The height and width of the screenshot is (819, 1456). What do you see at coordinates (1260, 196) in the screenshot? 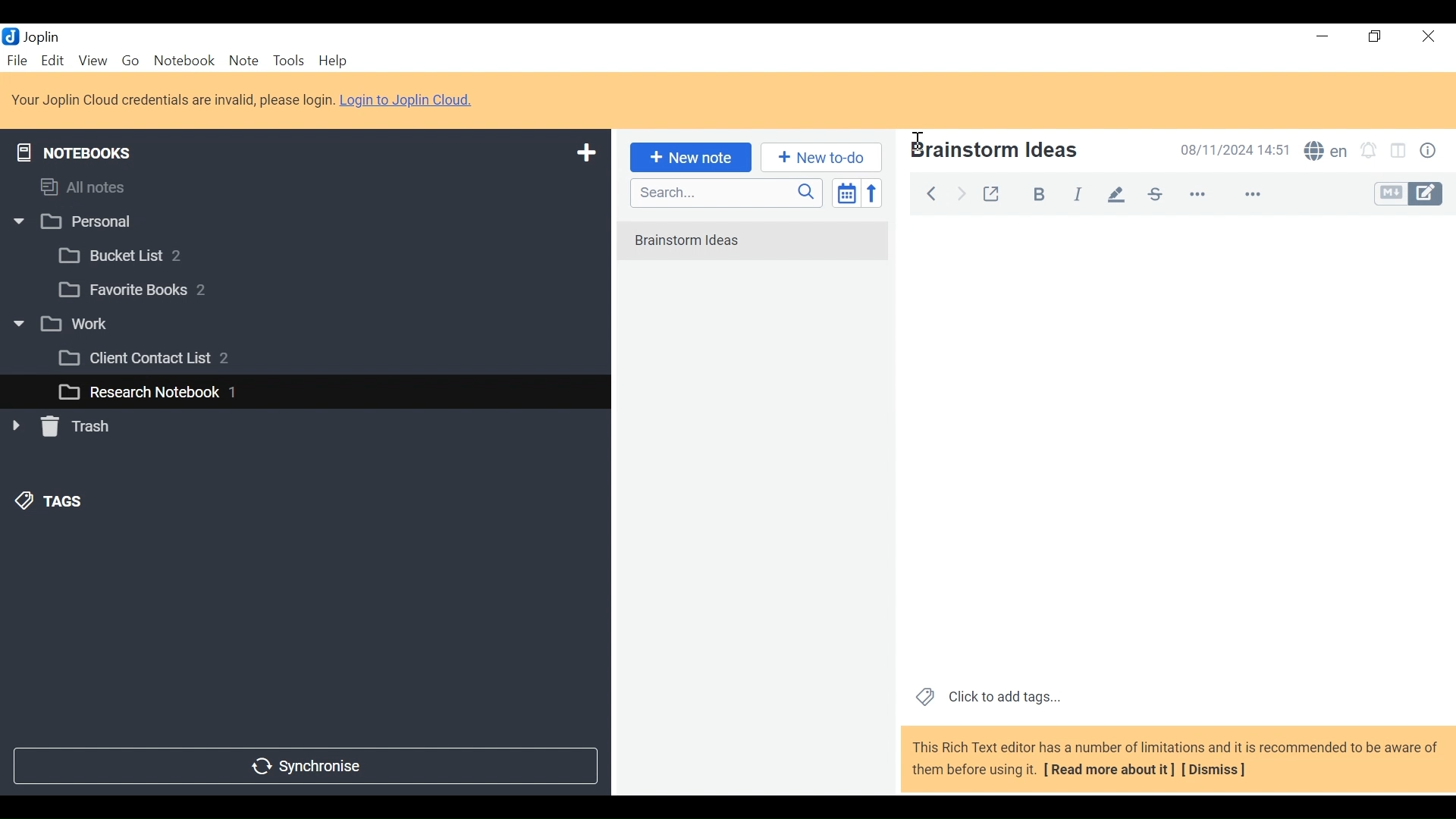
I see `feature options` at bounding box center [1260, 196].